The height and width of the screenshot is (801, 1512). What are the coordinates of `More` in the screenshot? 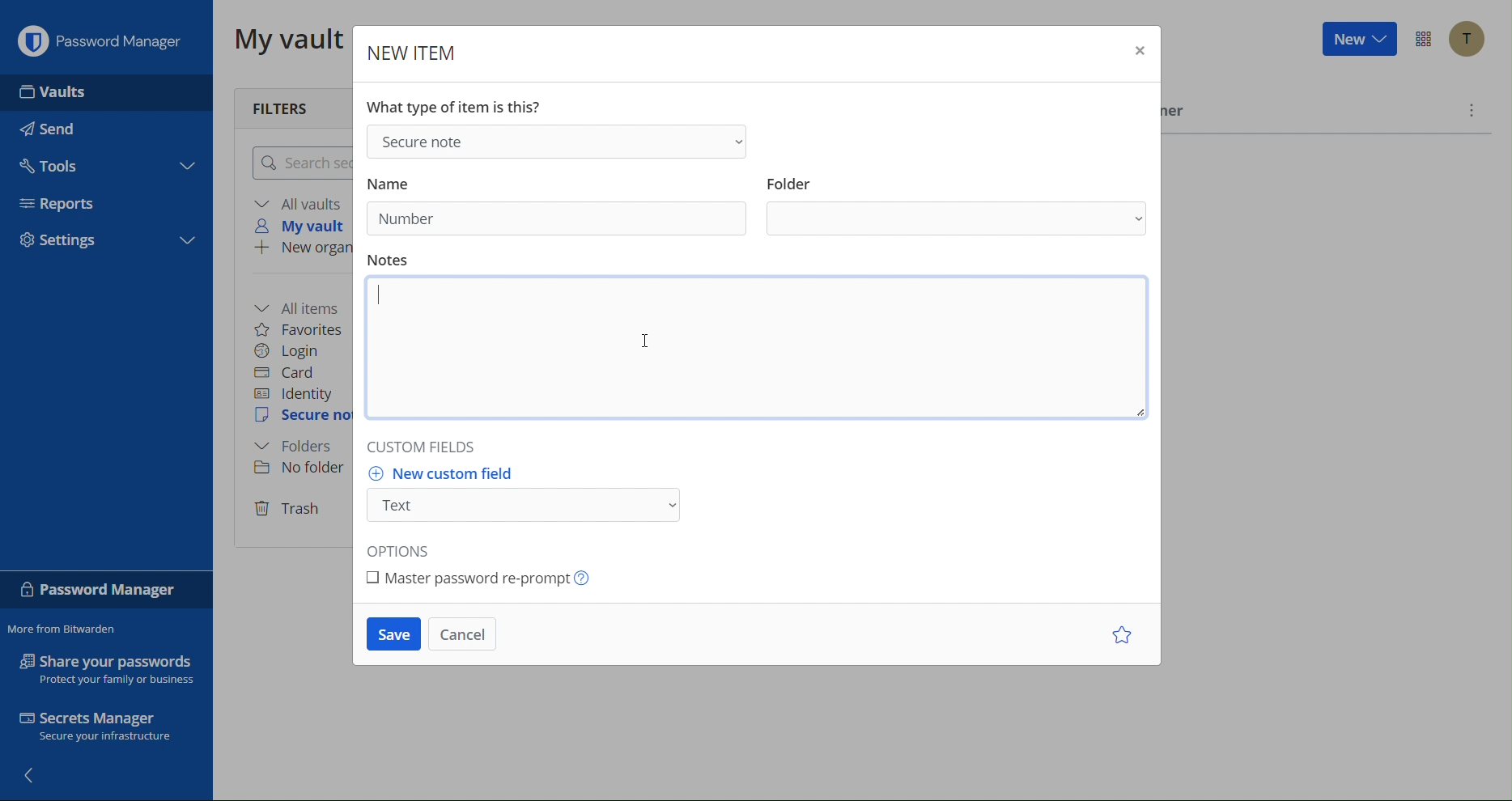 It's located at (1472, 109).